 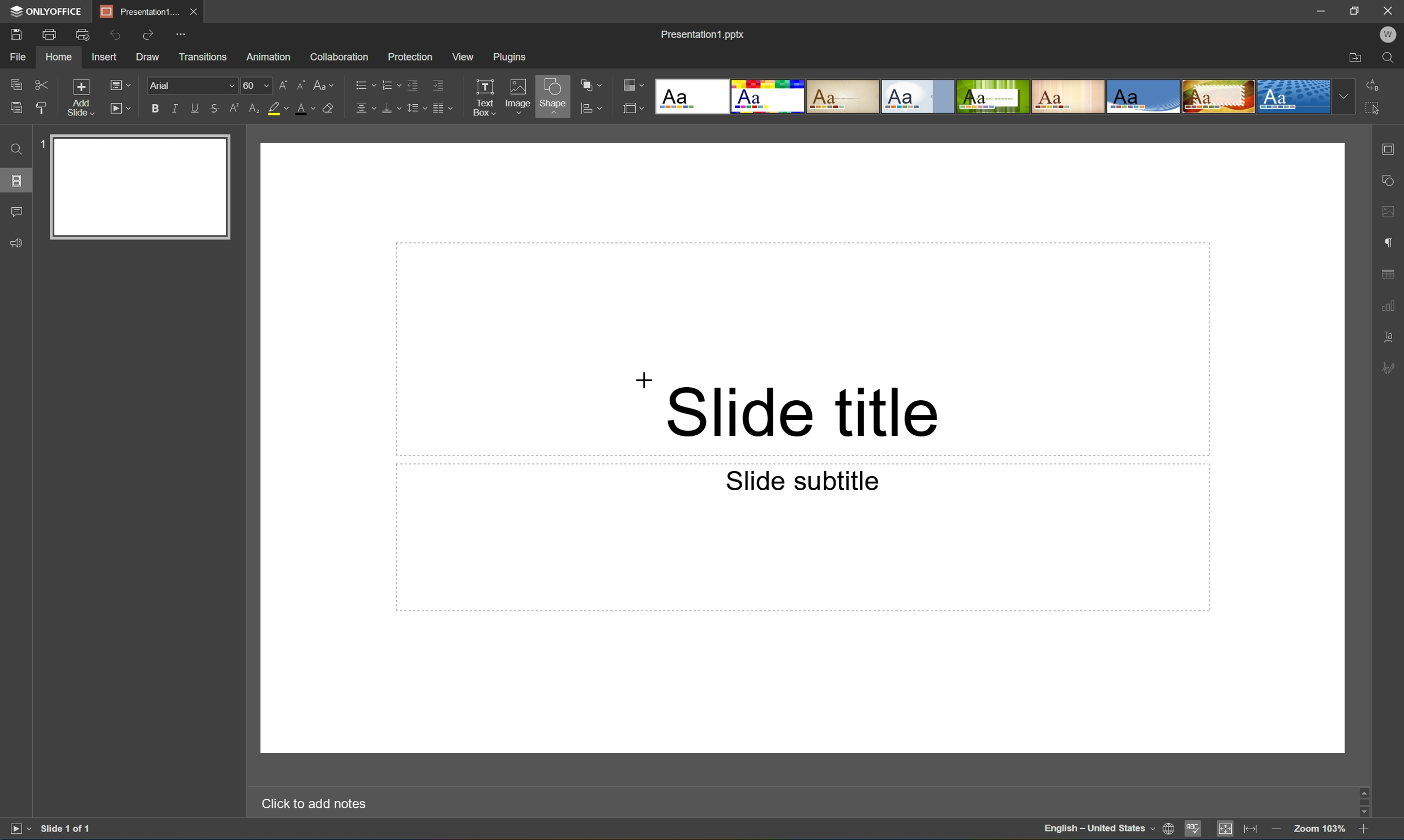 I want to click on 60, so click(x=255, y=85).